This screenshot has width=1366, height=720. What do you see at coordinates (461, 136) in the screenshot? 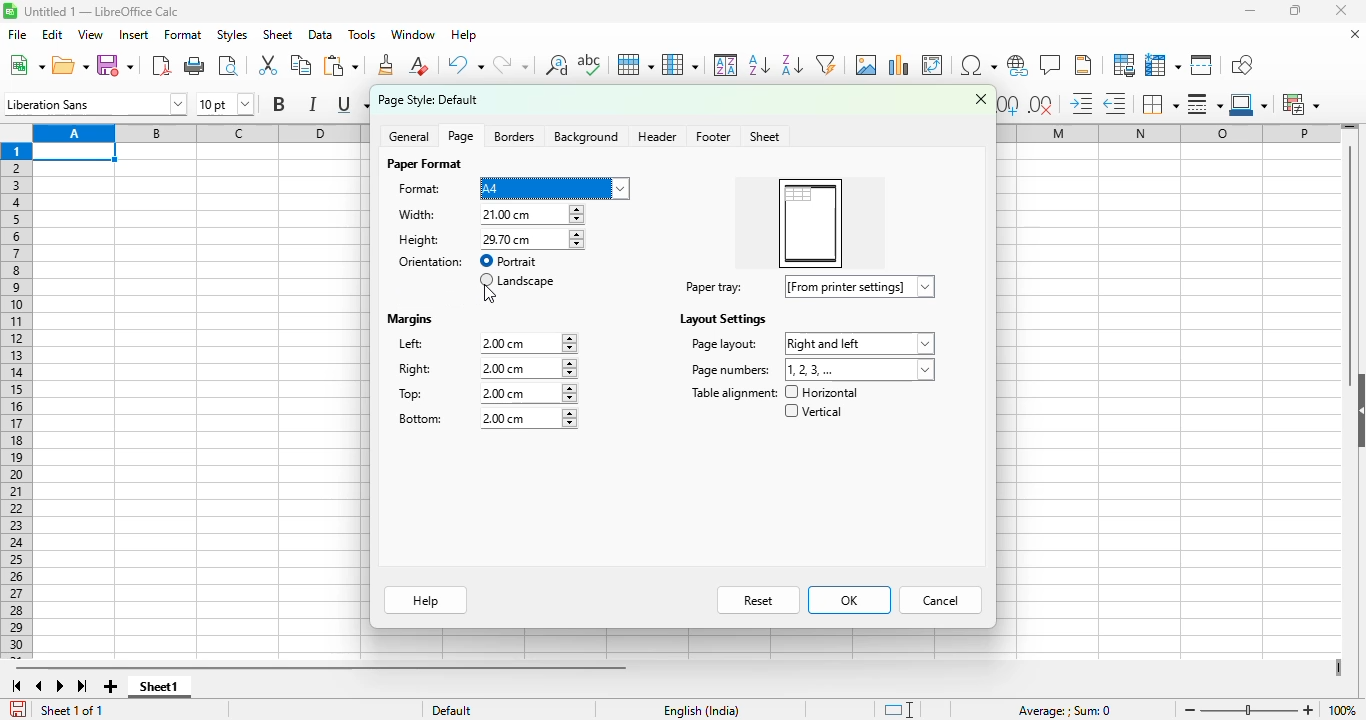
I see `page` at bounding box center [461, 136].